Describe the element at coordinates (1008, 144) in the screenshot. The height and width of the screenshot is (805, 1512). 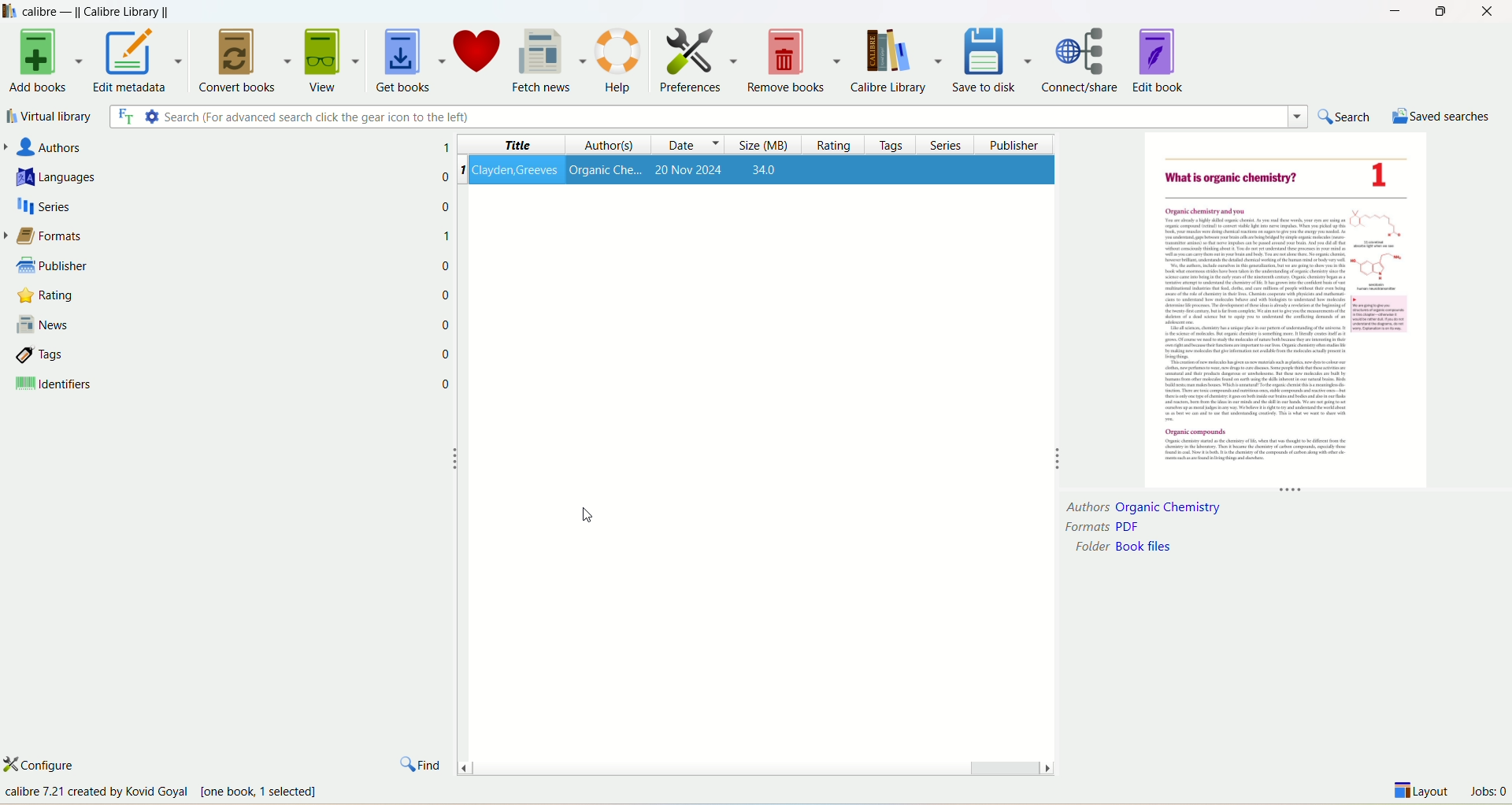
I see `publisher` at that location.